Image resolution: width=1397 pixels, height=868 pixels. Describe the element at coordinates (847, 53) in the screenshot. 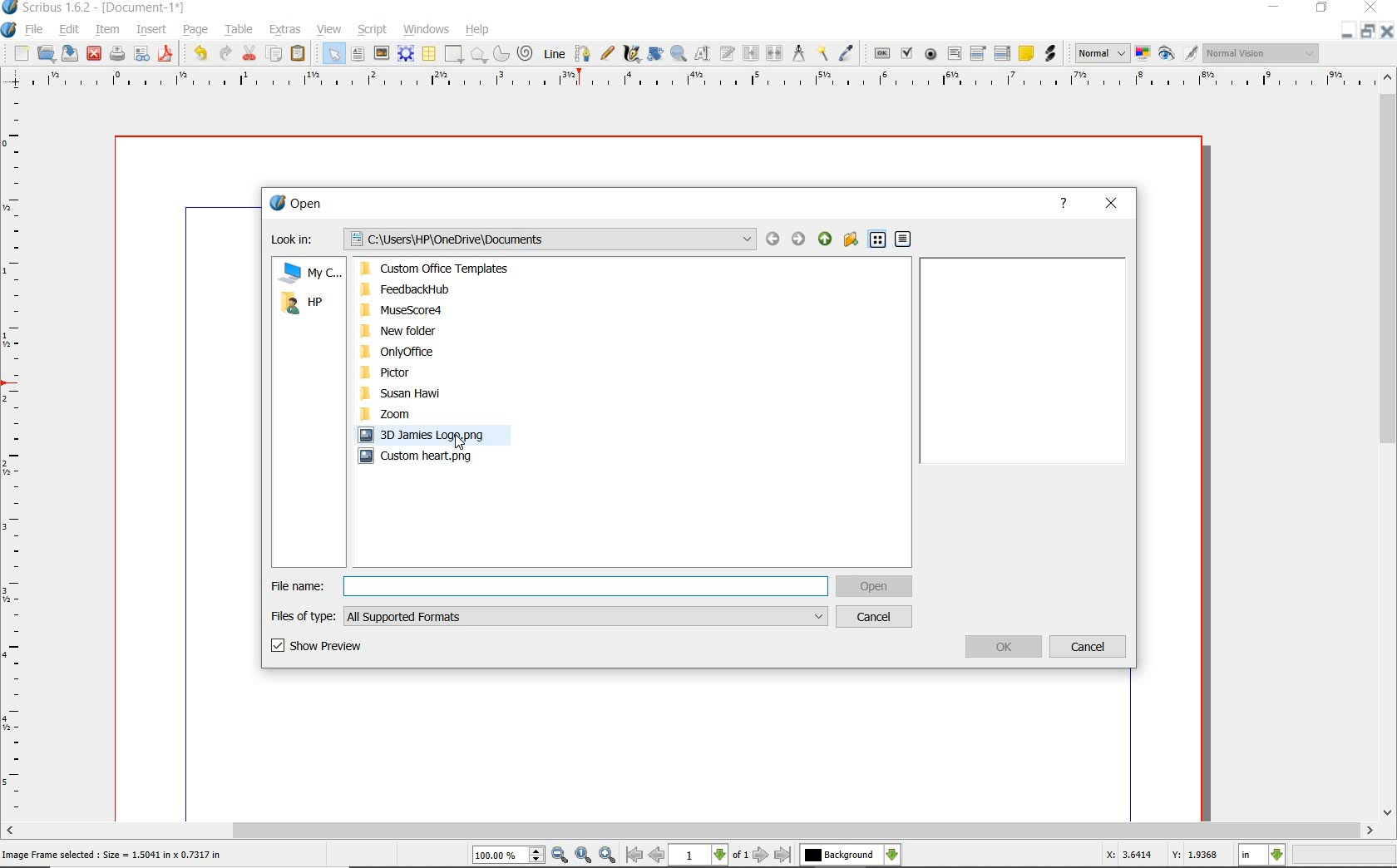

I see `eye dropper` at that location.